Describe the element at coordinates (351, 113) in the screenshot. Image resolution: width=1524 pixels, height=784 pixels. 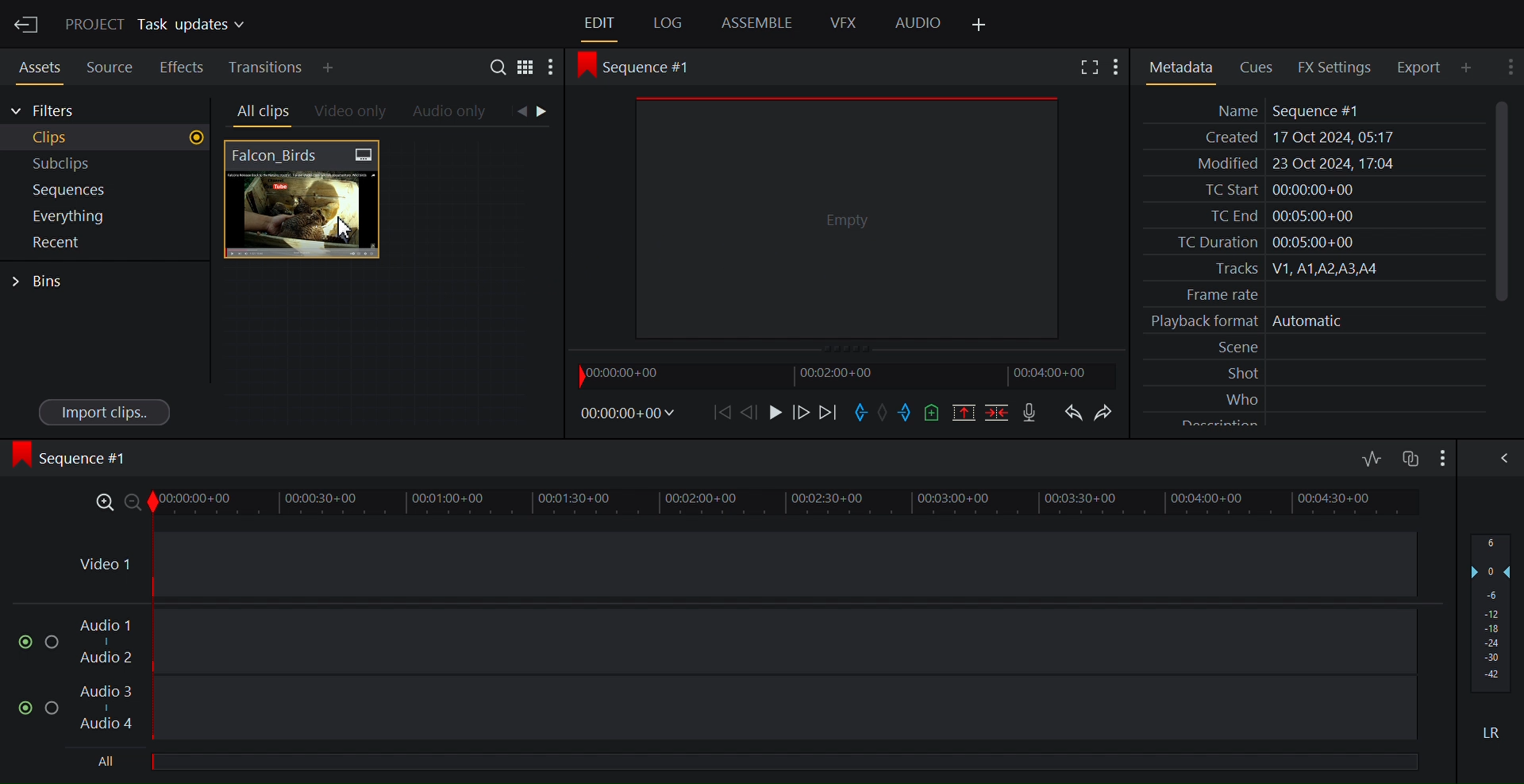
I see `Videos only` at that location.